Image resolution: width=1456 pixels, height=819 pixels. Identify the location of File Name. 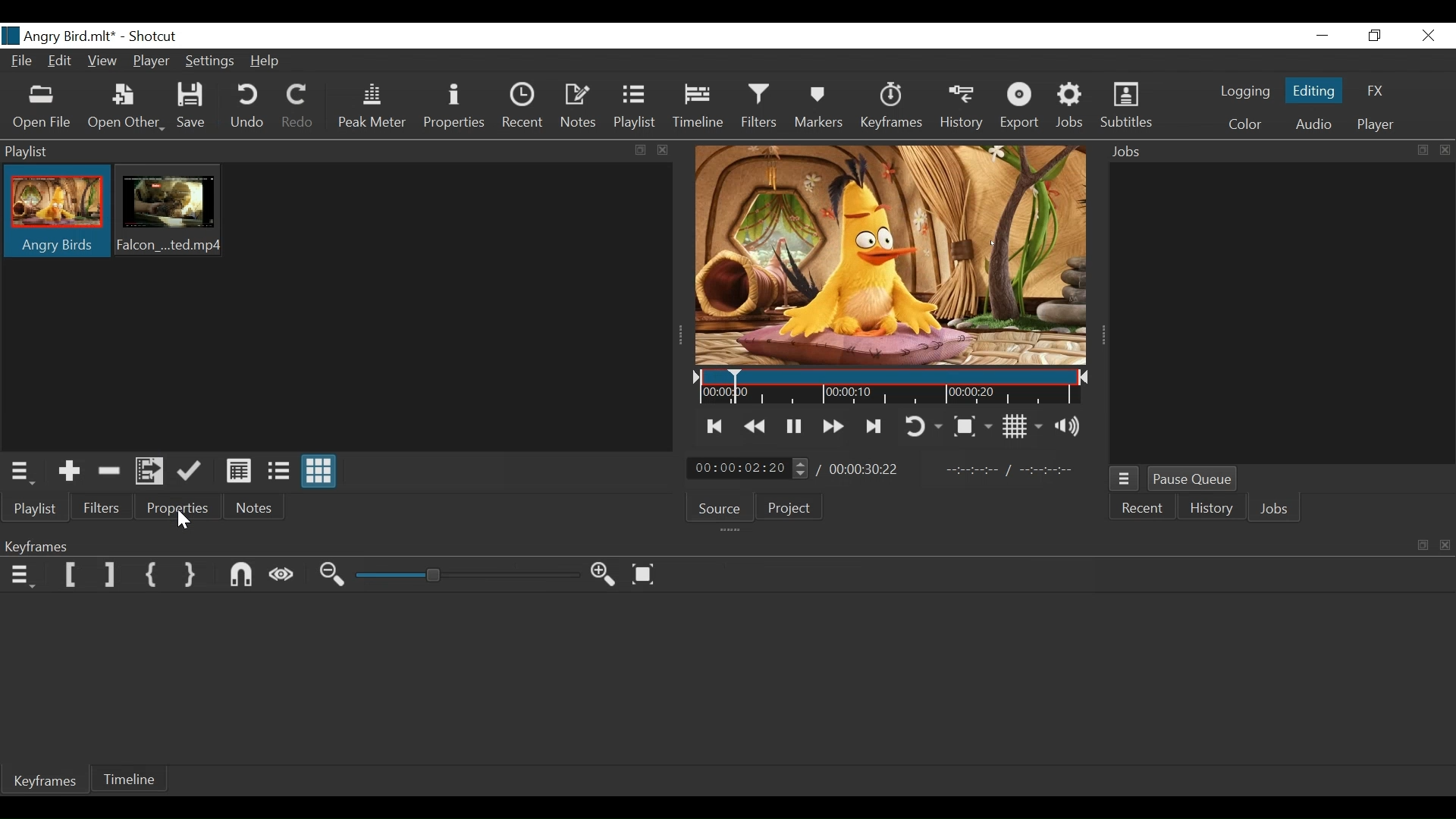
(59, 36).